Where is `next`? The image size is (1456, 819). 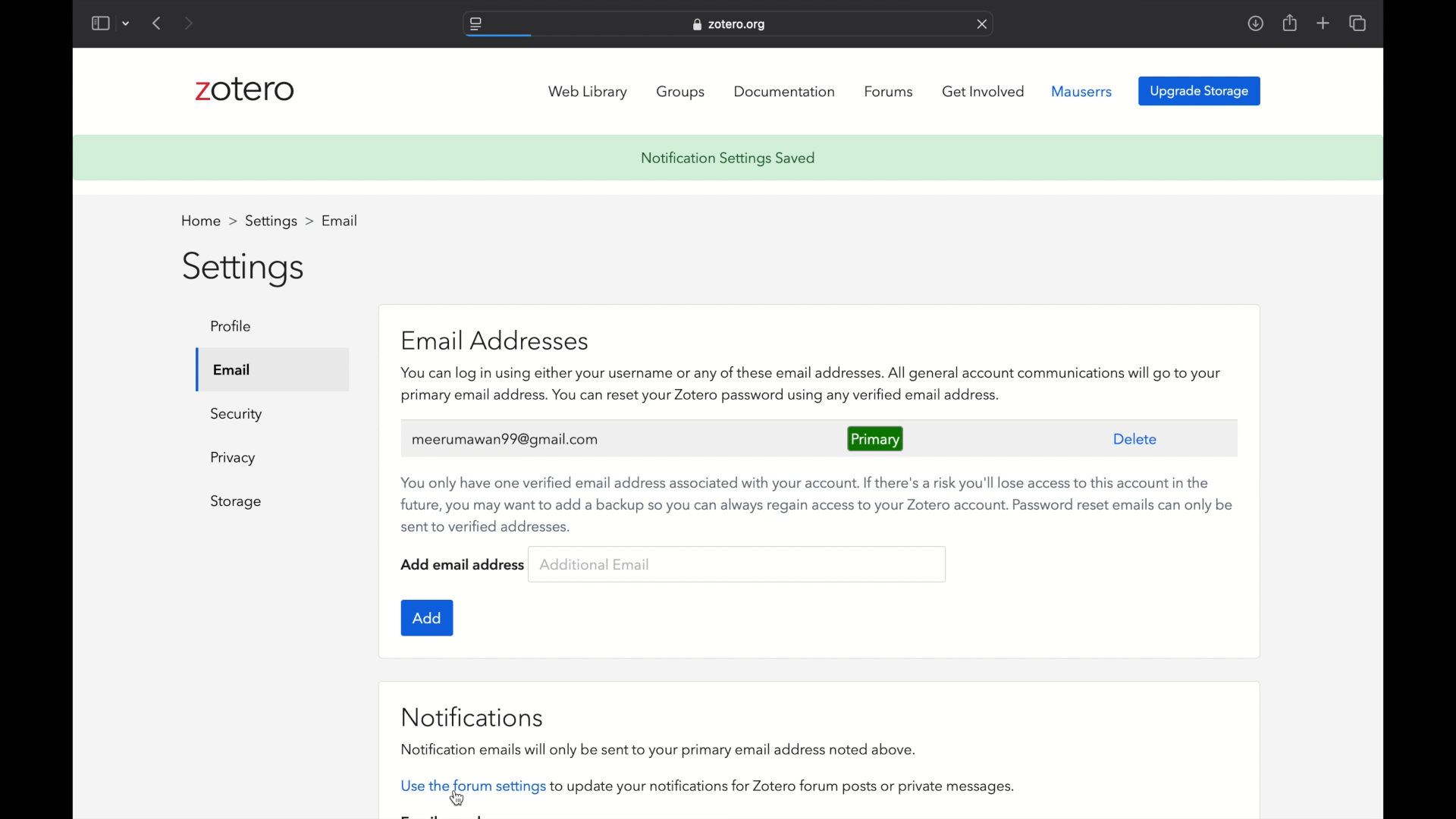 next is located at coordinates (188, 23).